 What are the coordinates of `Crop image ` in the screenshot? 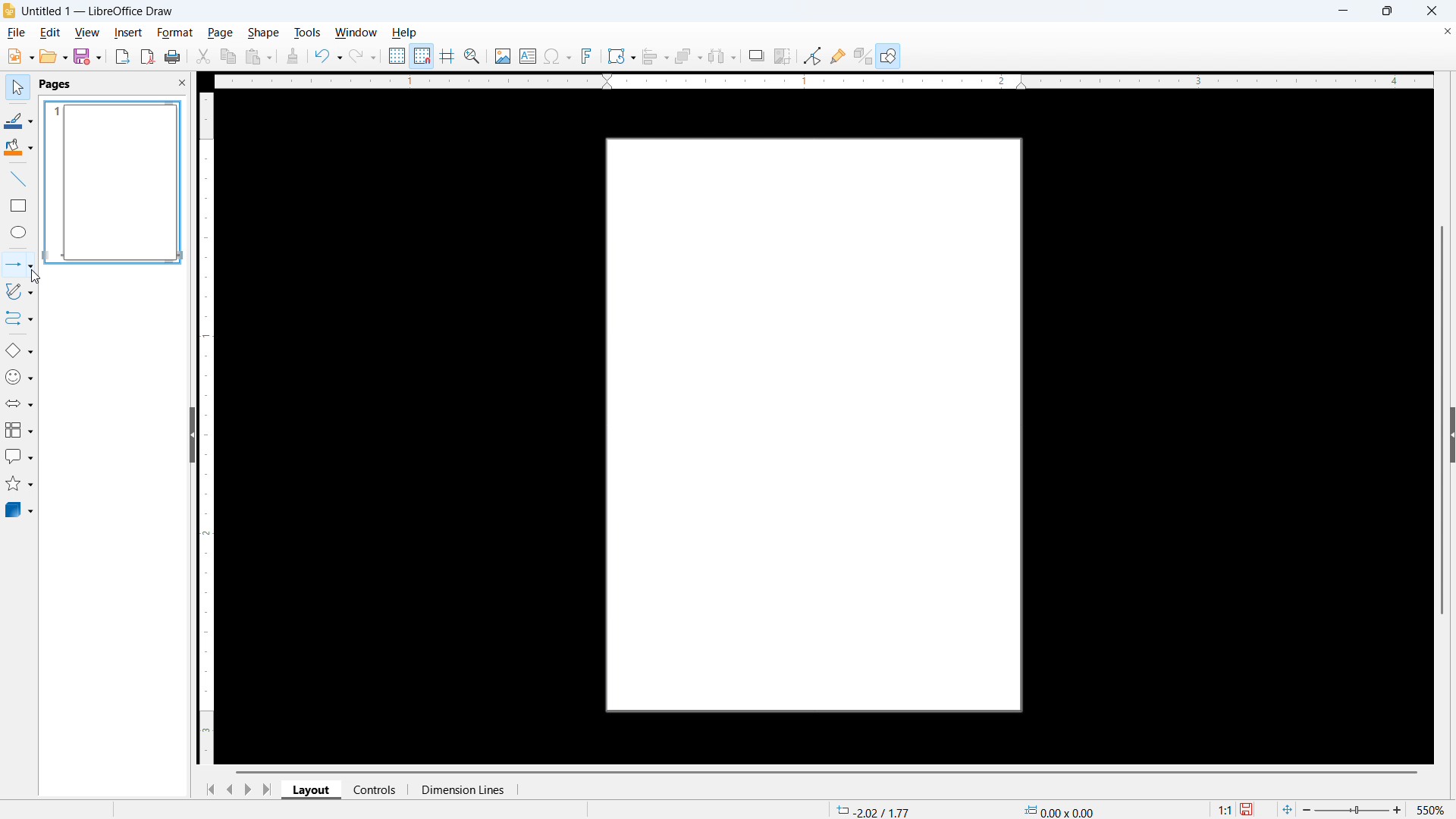 It's located at (783, 55).